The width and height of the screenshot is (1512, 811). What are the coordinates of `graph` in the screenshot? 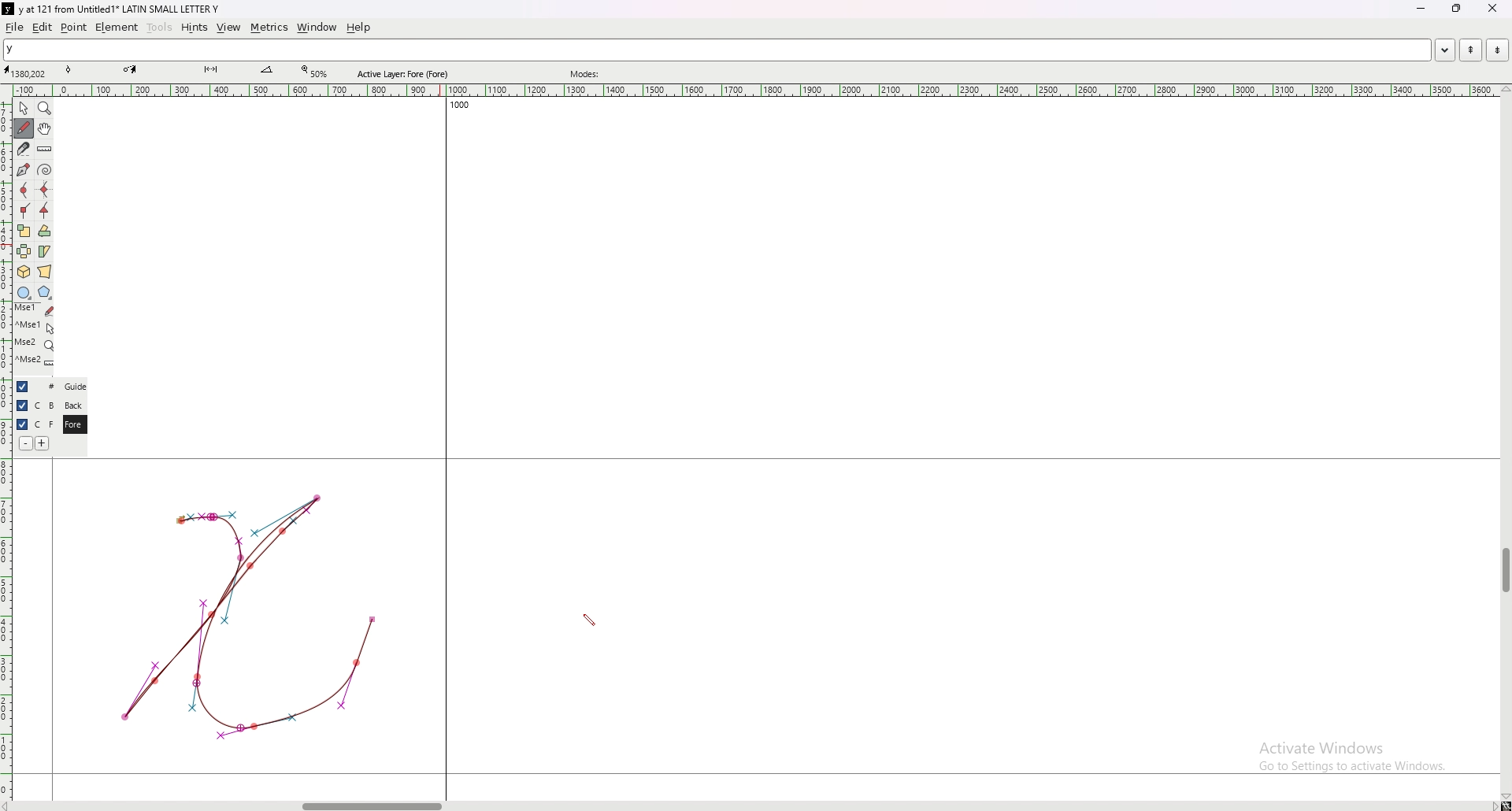 It's located at (248, 615).